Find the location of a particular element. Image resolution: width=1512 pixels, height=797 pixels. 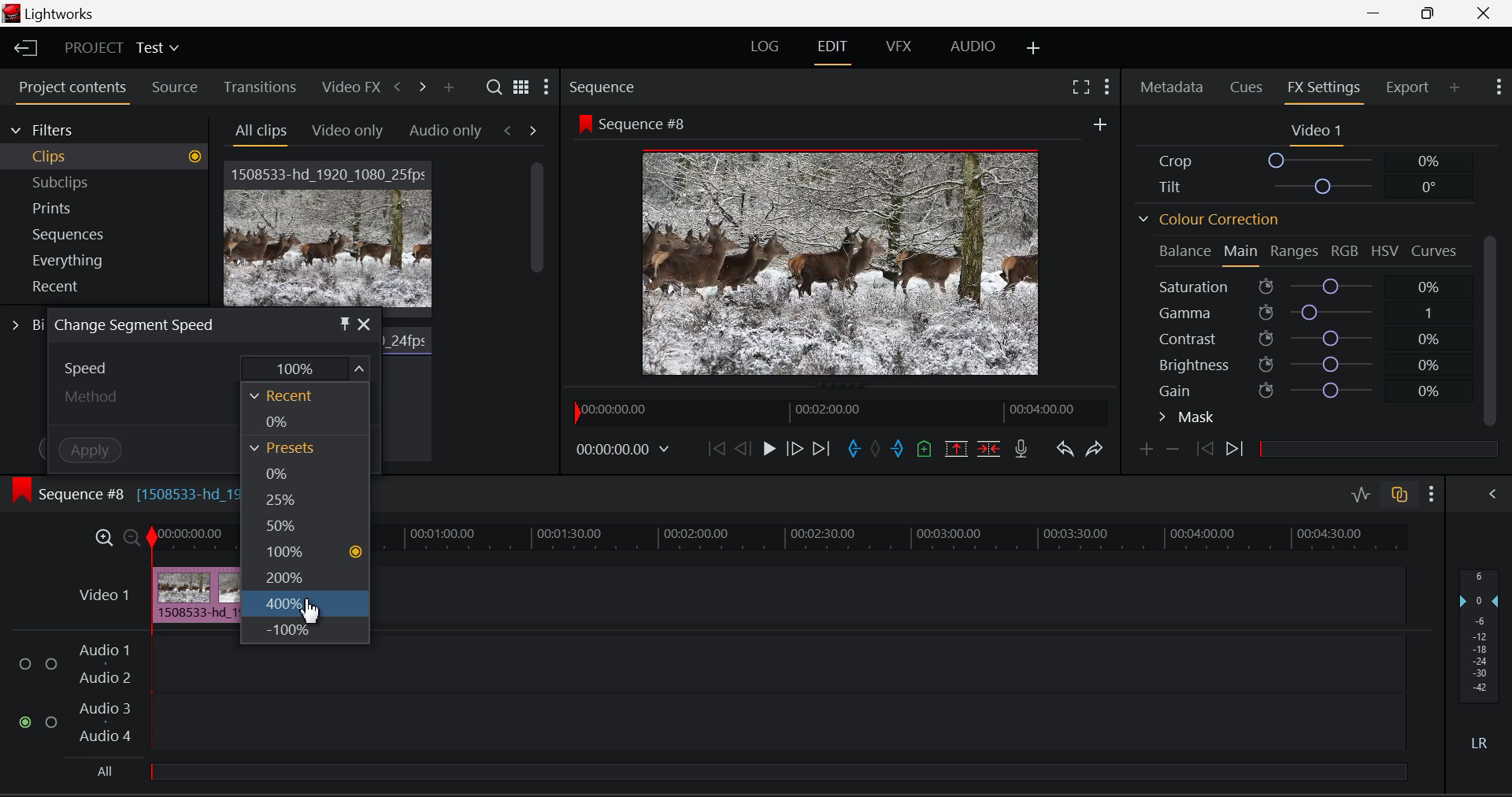

Everything is located at coordinates (113, 260).